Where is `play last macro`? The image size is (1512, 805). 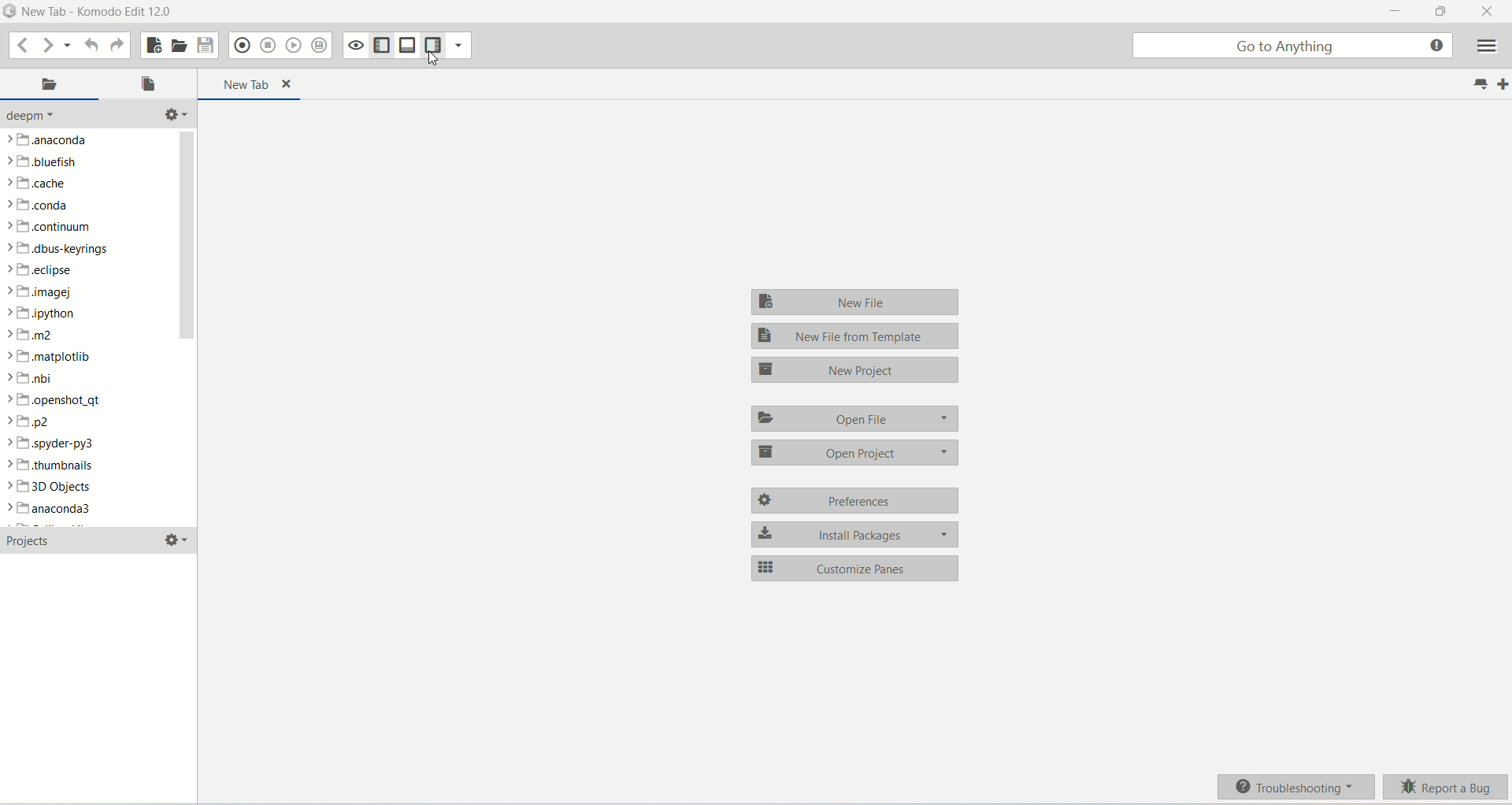
play last macro is located at coordinates (294, 46).